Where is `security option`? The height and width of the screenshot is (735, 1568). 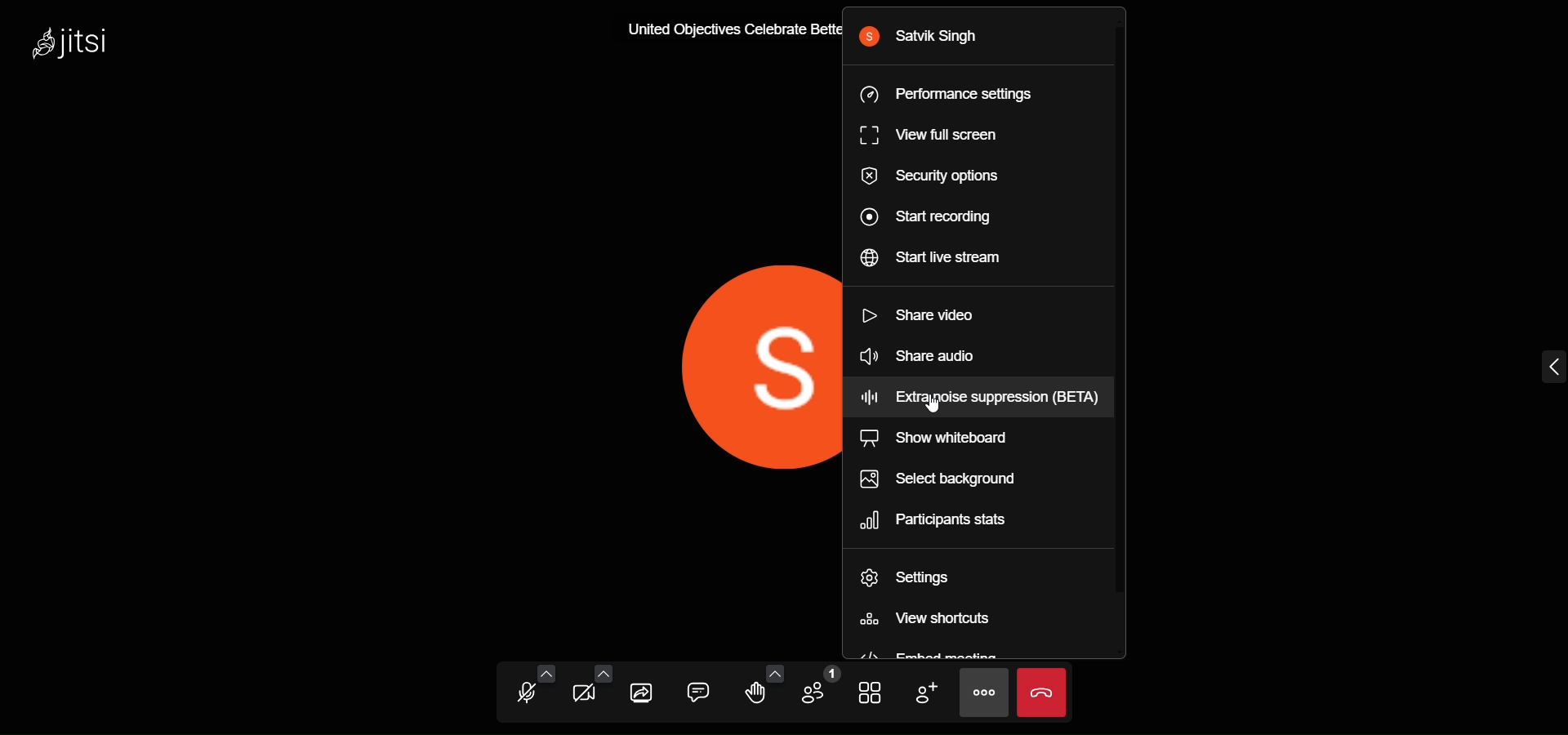
security option is located at coordinates (936, 179).